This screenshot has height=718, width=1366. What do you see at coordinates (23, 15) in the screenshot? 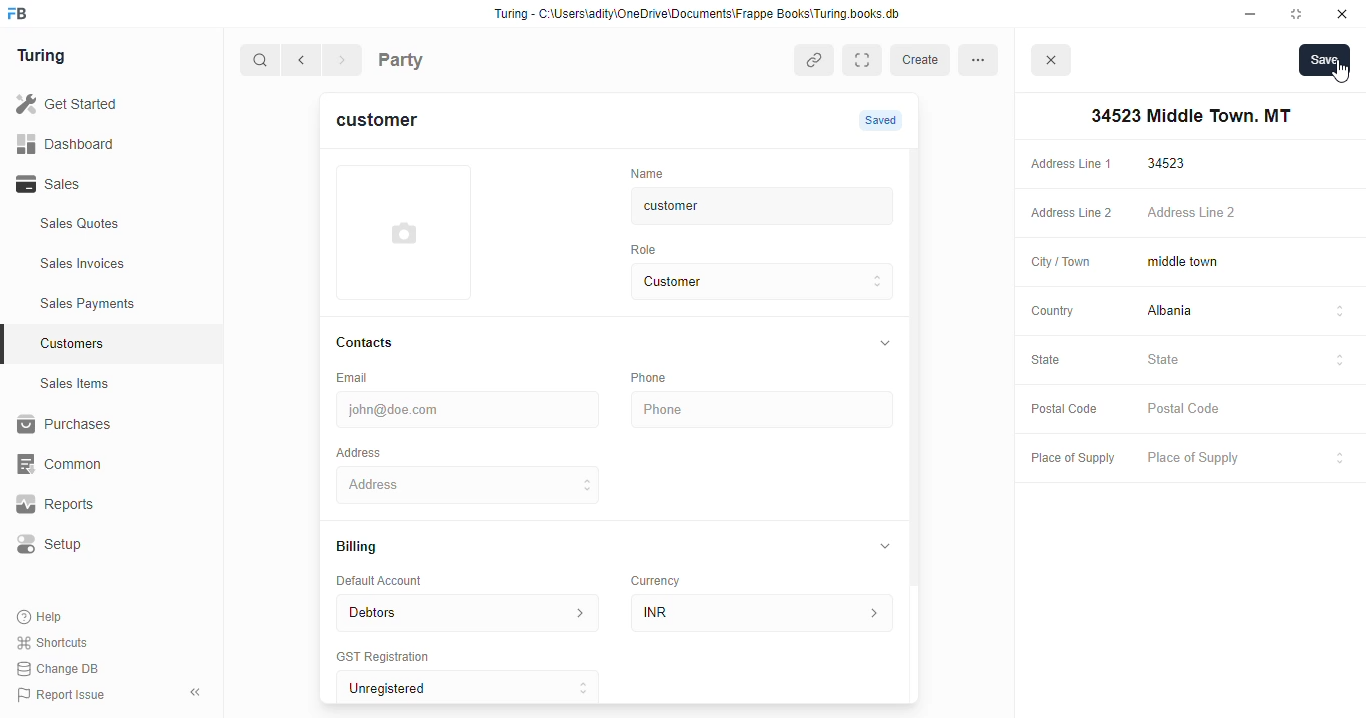
I see `frappebooks logo` at bounding box center [23, 15].